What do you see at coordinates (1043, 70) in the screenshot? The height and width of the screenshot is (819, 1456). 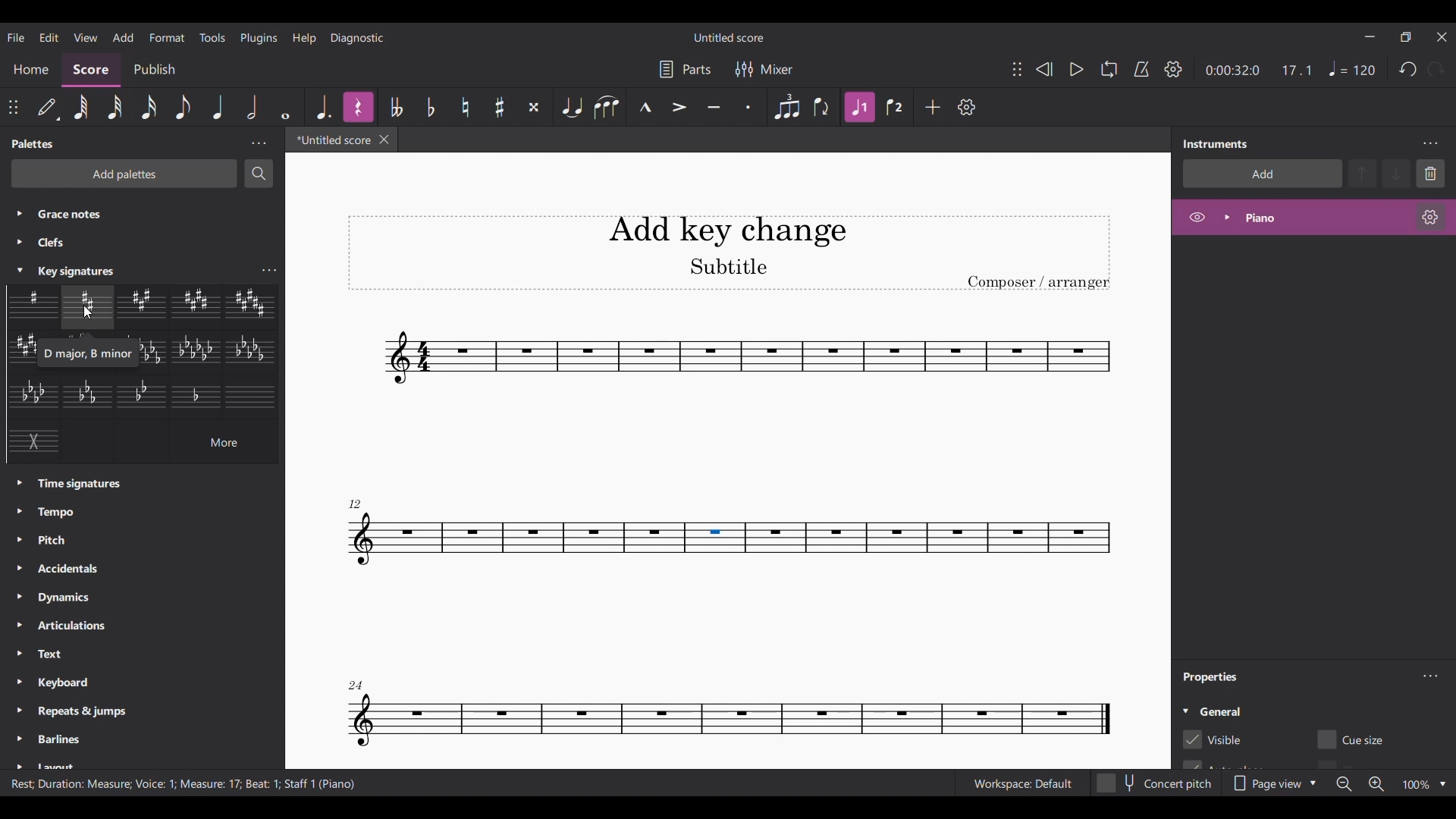 I see `Rewind` at bounding box center [1043, 70].